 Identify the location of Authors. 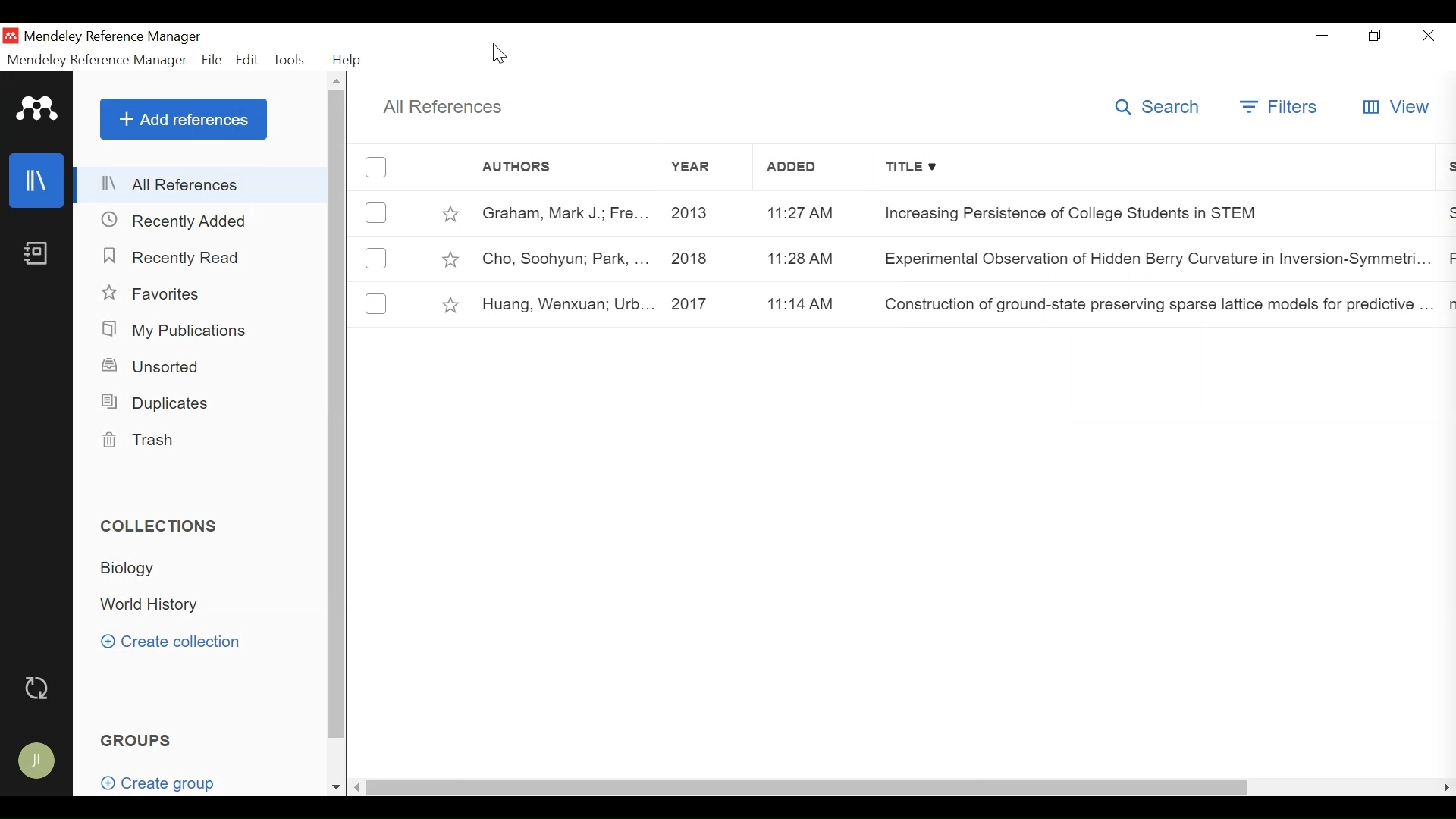
(527, 166).